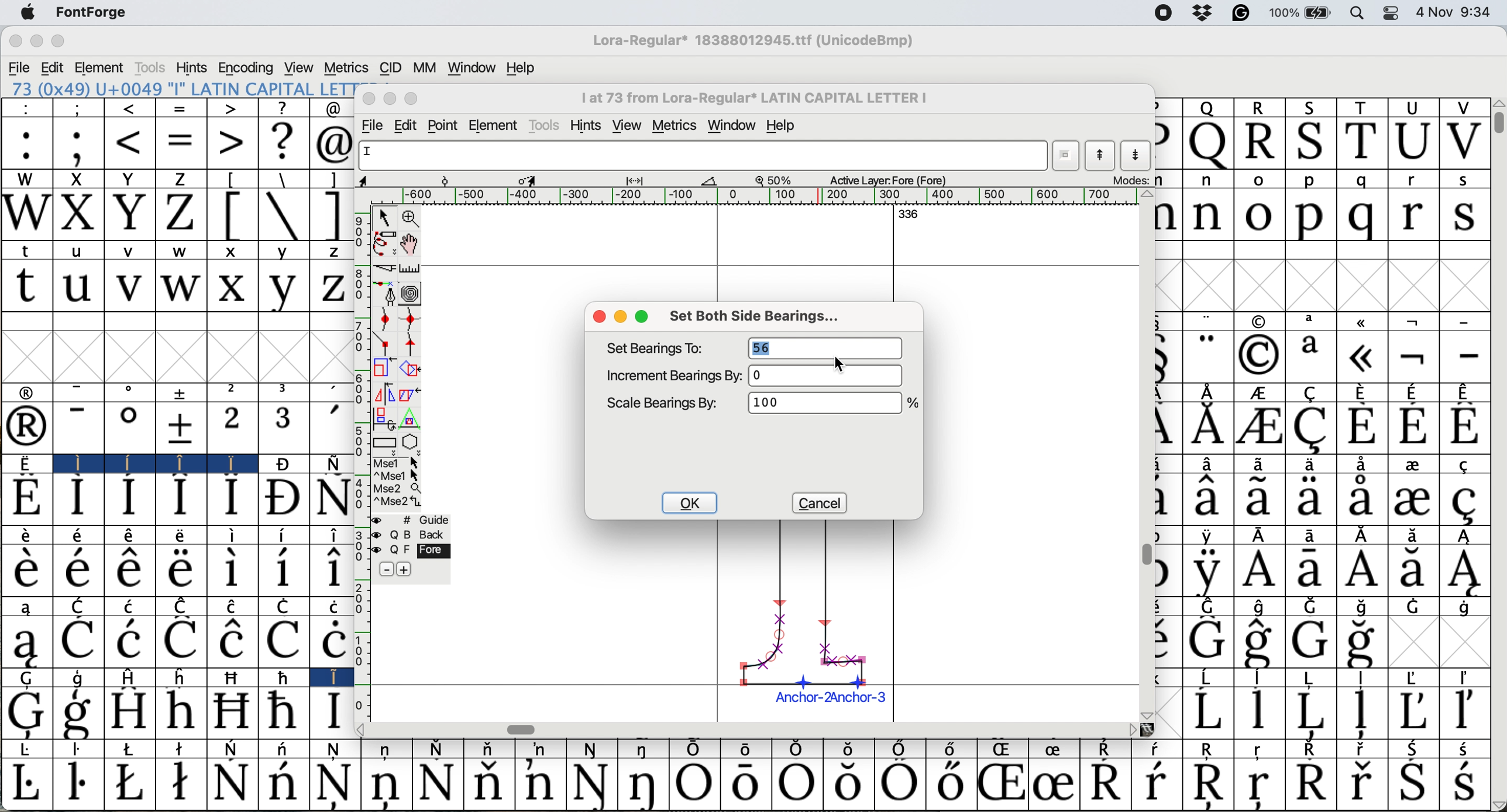 The height and width of the screenshot is (812, 1507). What do you see at coordinates (793, 785) in the screenshot?
I see `Symbol` at bounding box center [793, 785].